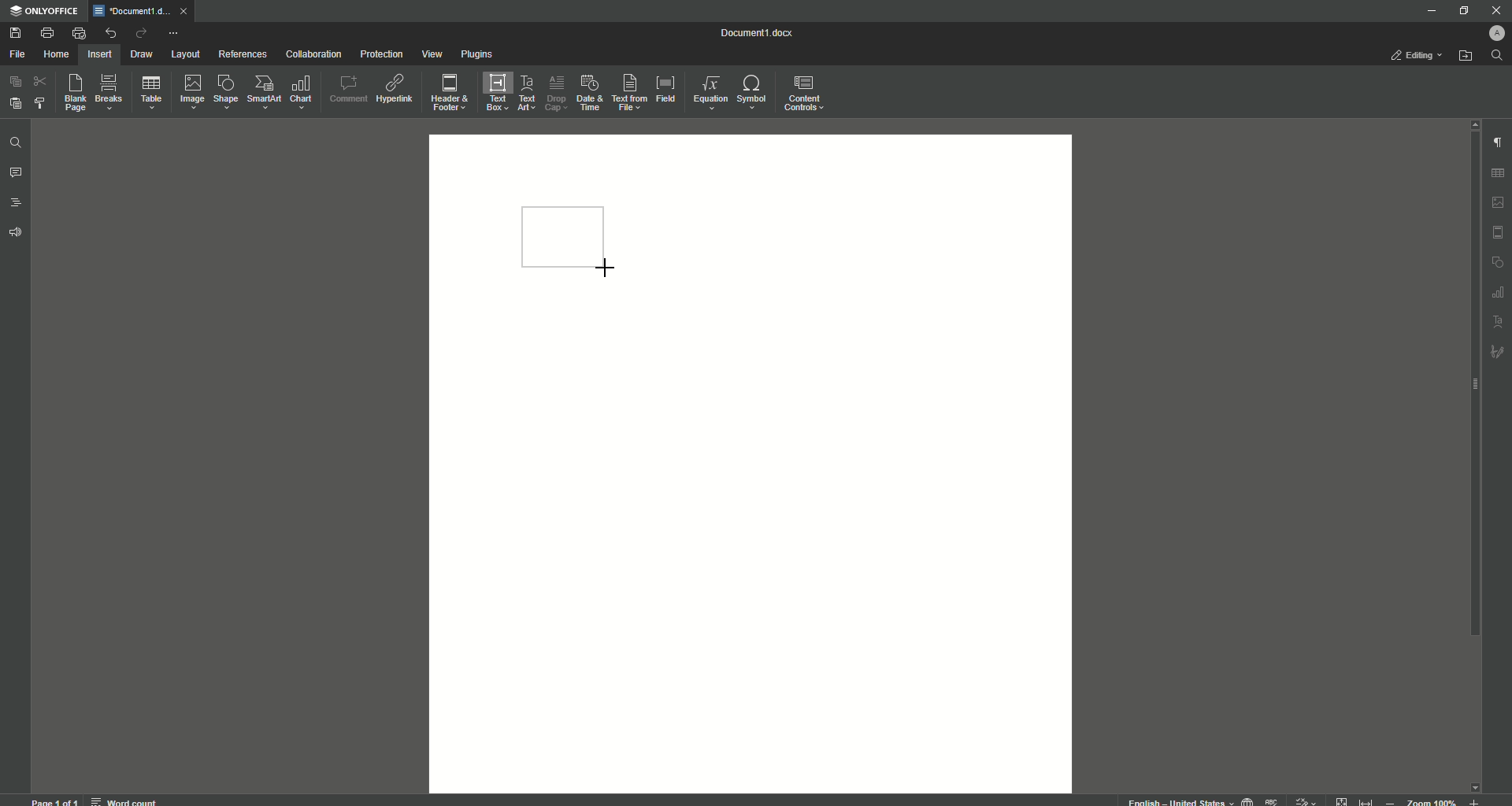  Describe the element at coordinates (478, 55) in the screenshot. I see `Plugins` at that location.